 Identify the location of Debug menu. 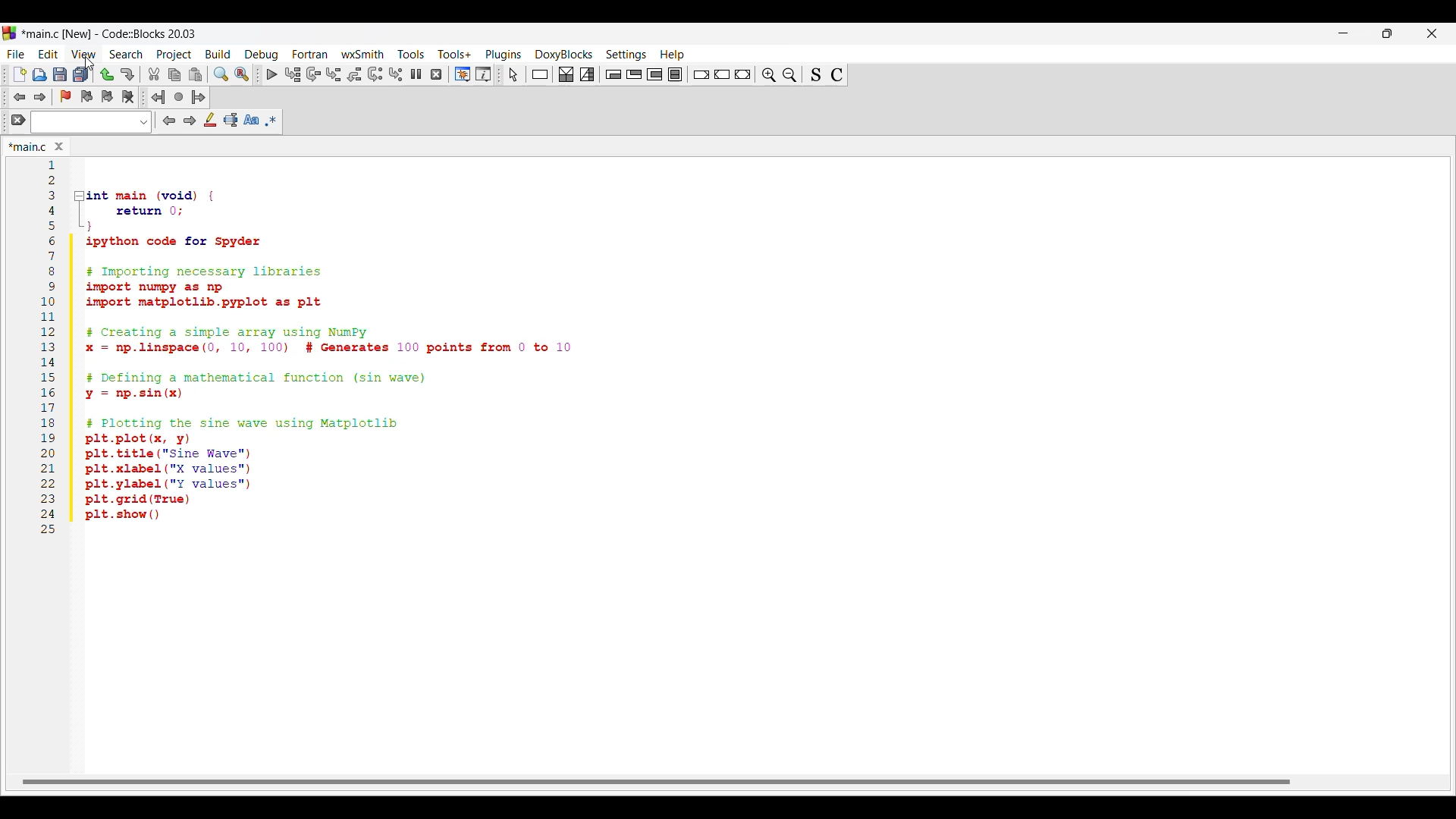
(262, 55).